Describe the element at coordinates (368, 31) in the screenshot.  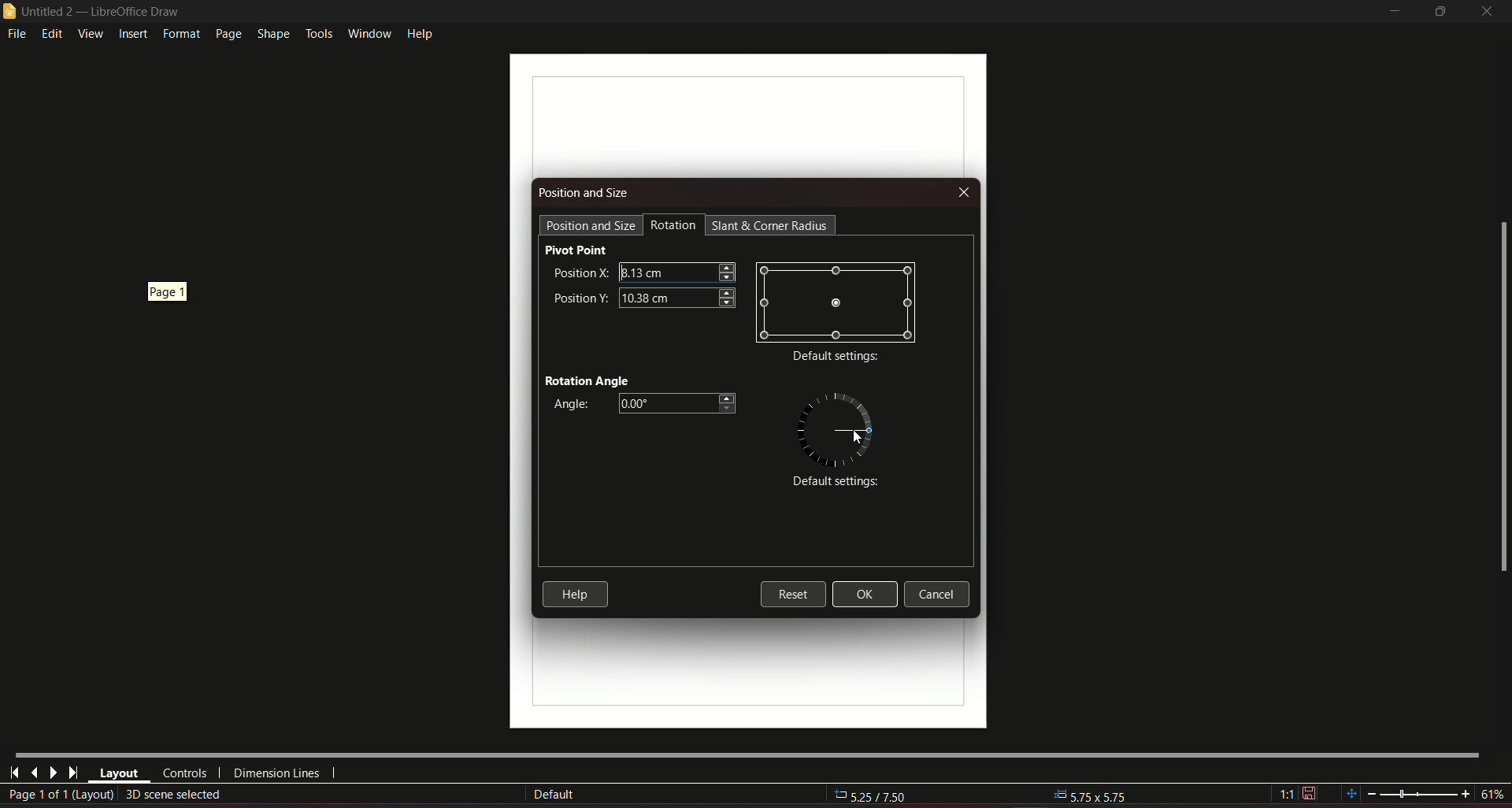
I see `window` at that location.